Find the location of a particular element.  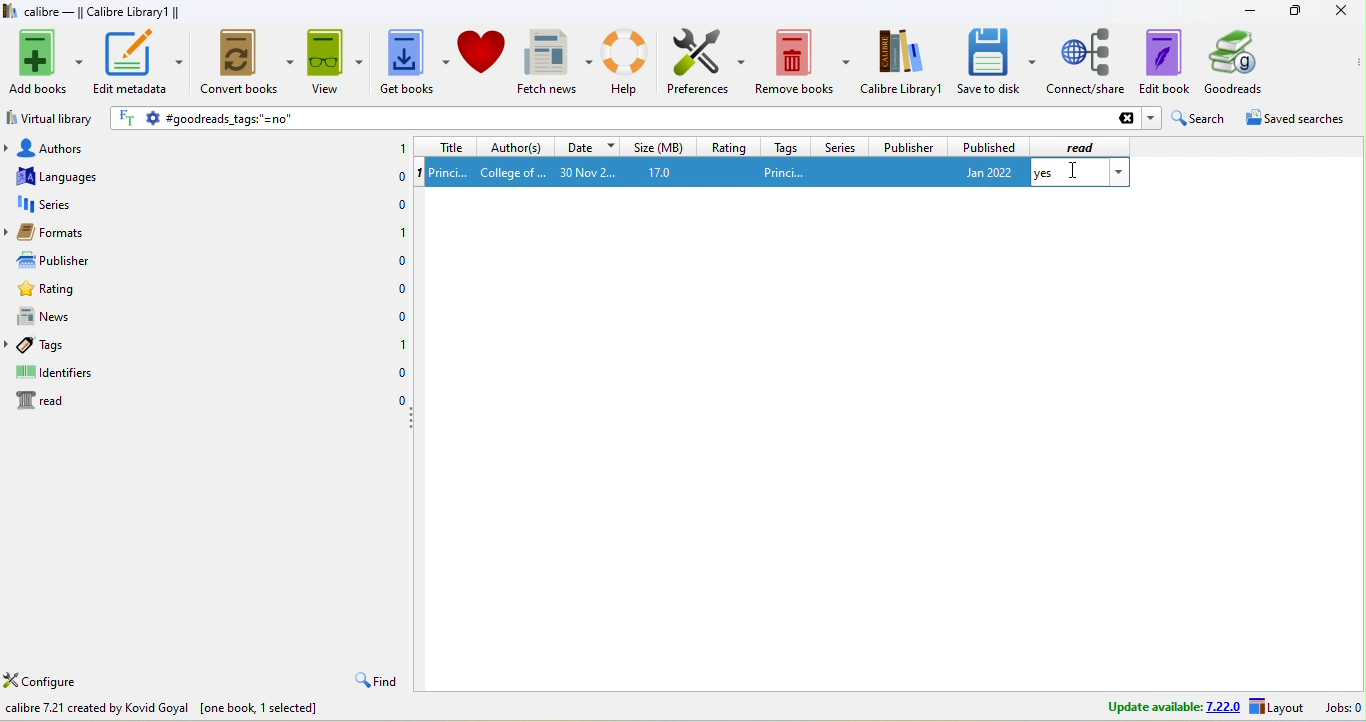

1 is located at coordinates (417, 174).